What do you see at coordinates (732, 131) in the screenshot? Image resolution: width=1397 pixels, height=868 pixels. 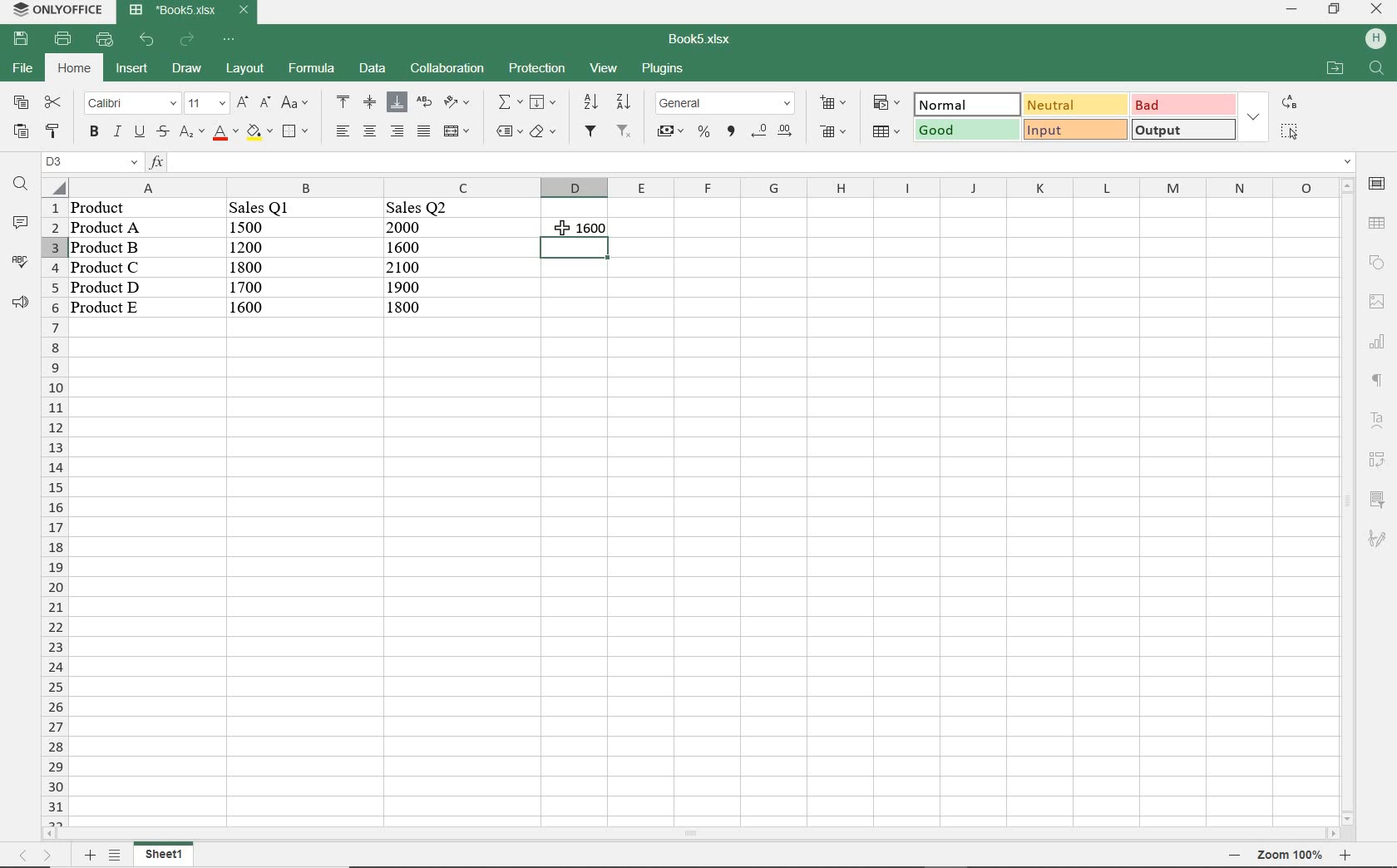 I see `comma style` at bounding box center [732, 131].